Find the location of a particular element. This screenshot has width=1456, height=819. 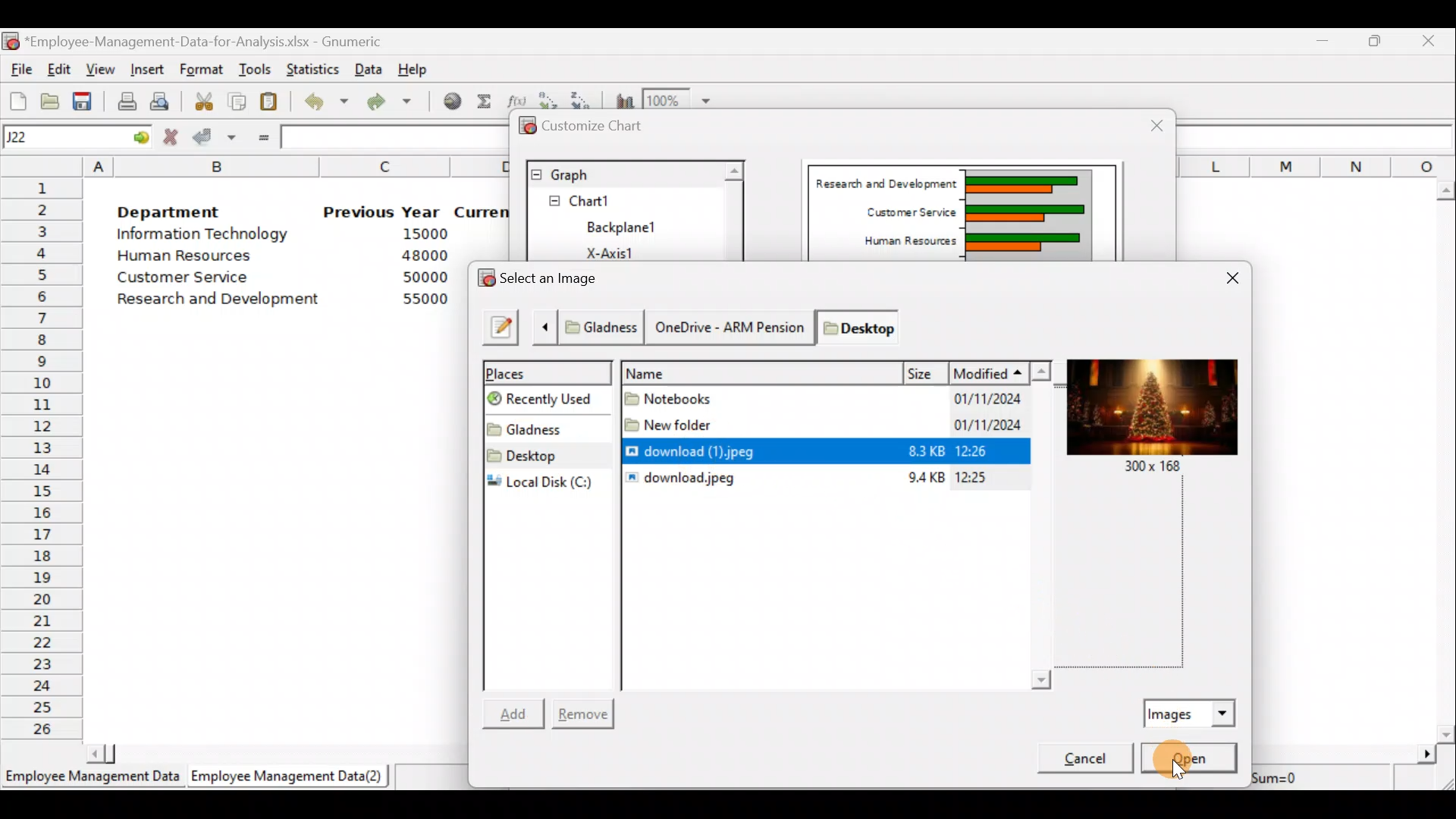

Modified is located at coordinates (1004, 370).